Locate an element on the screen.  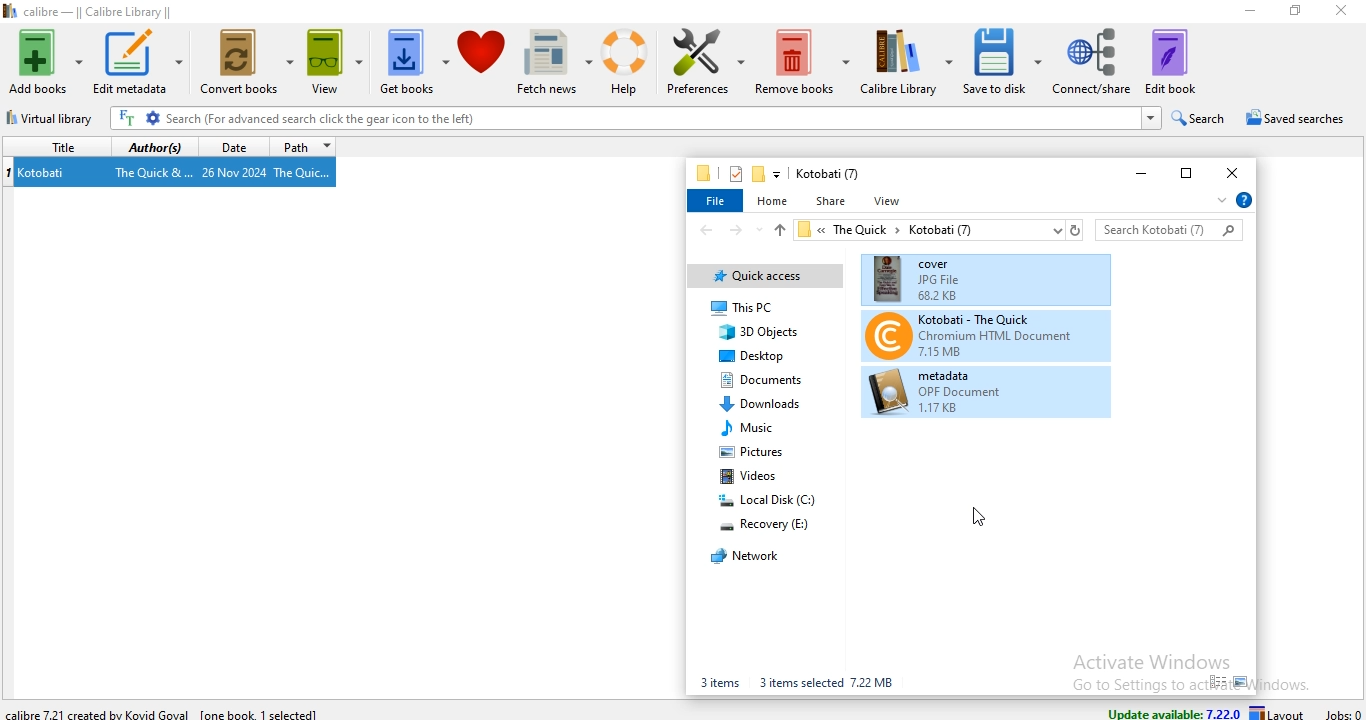
edit book is located at coordinates (1171, 61).